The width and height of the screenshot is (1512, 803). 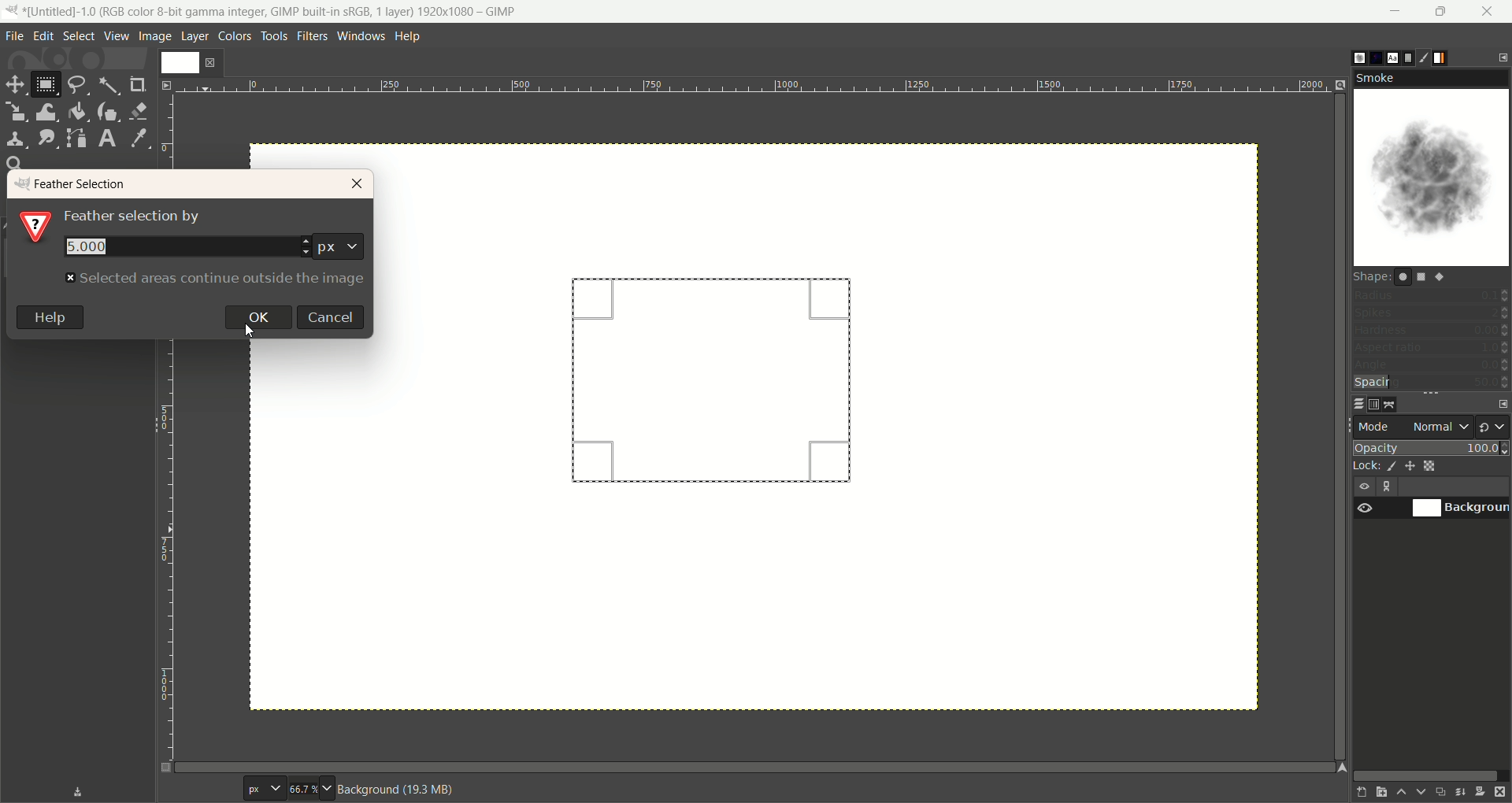 What do you see at coordinates (29, 228) in the screenshot?
I see `?` at bounding box center [29, 228].